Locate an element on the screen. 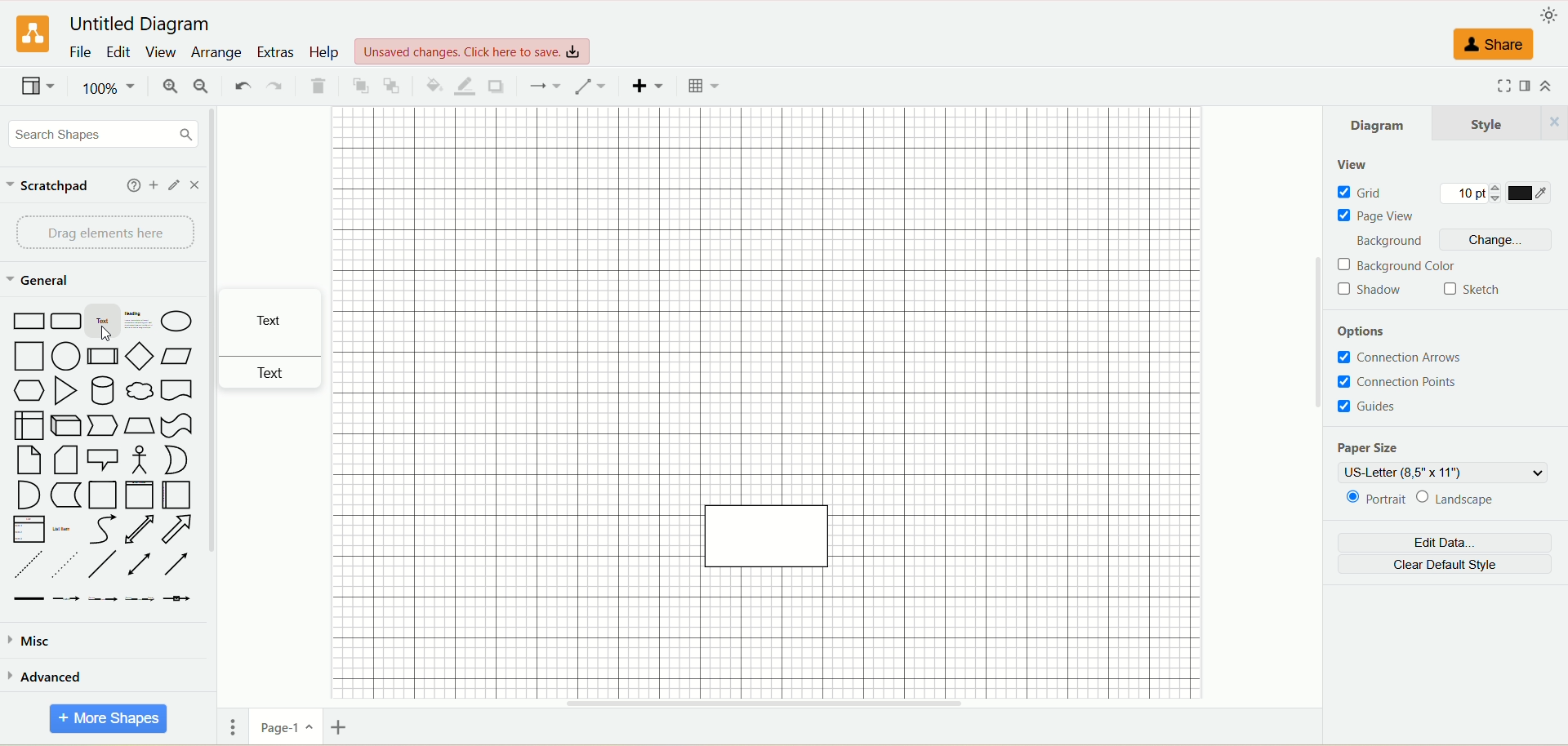  diamond is located at coordinates (140, 356).